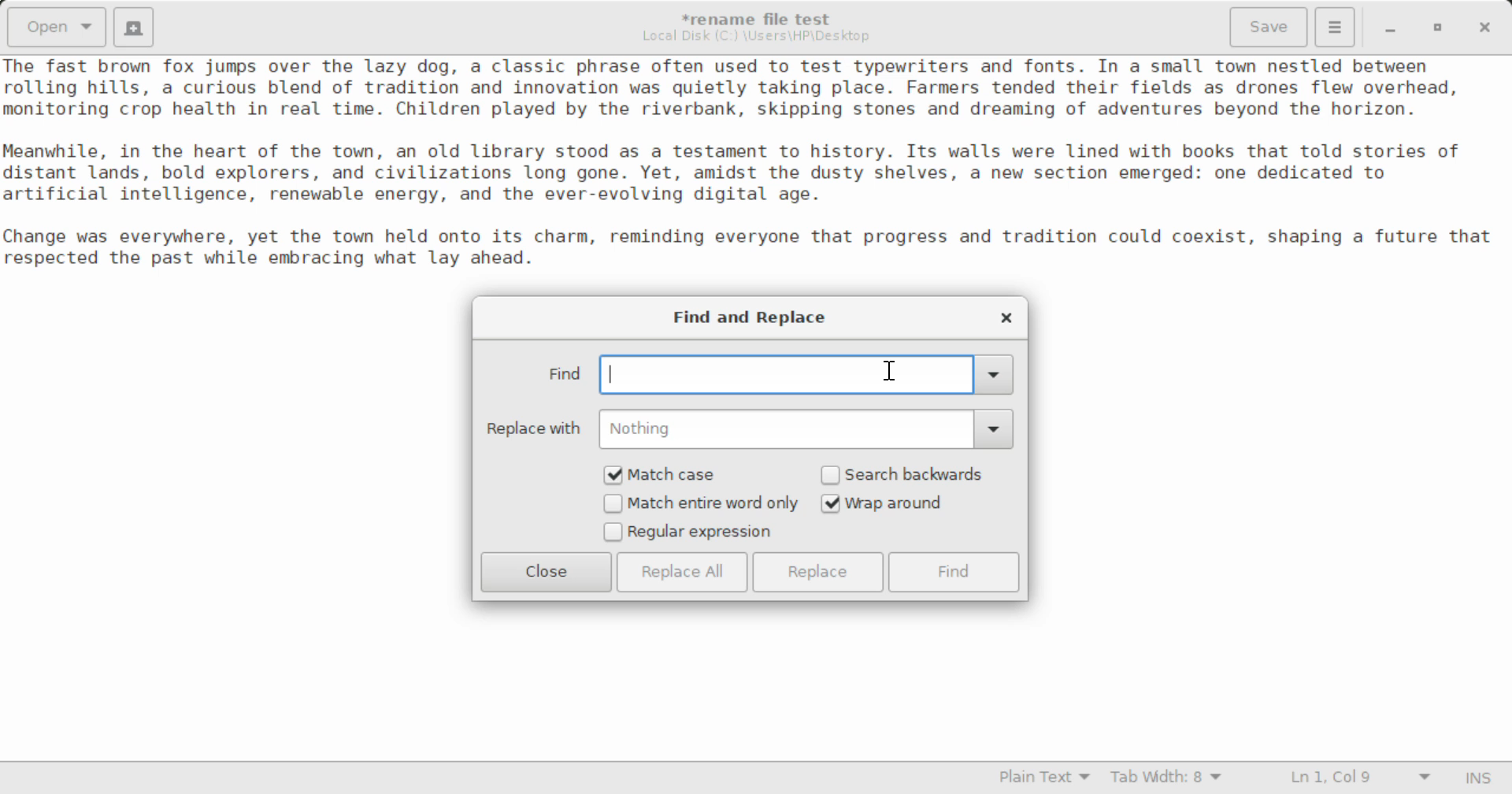 The height and width of the screenshot is (794, 1512). Describe the element at coordinates (751, 318) in the screenshot. I see `Find and Replace Window Heading` at that location.